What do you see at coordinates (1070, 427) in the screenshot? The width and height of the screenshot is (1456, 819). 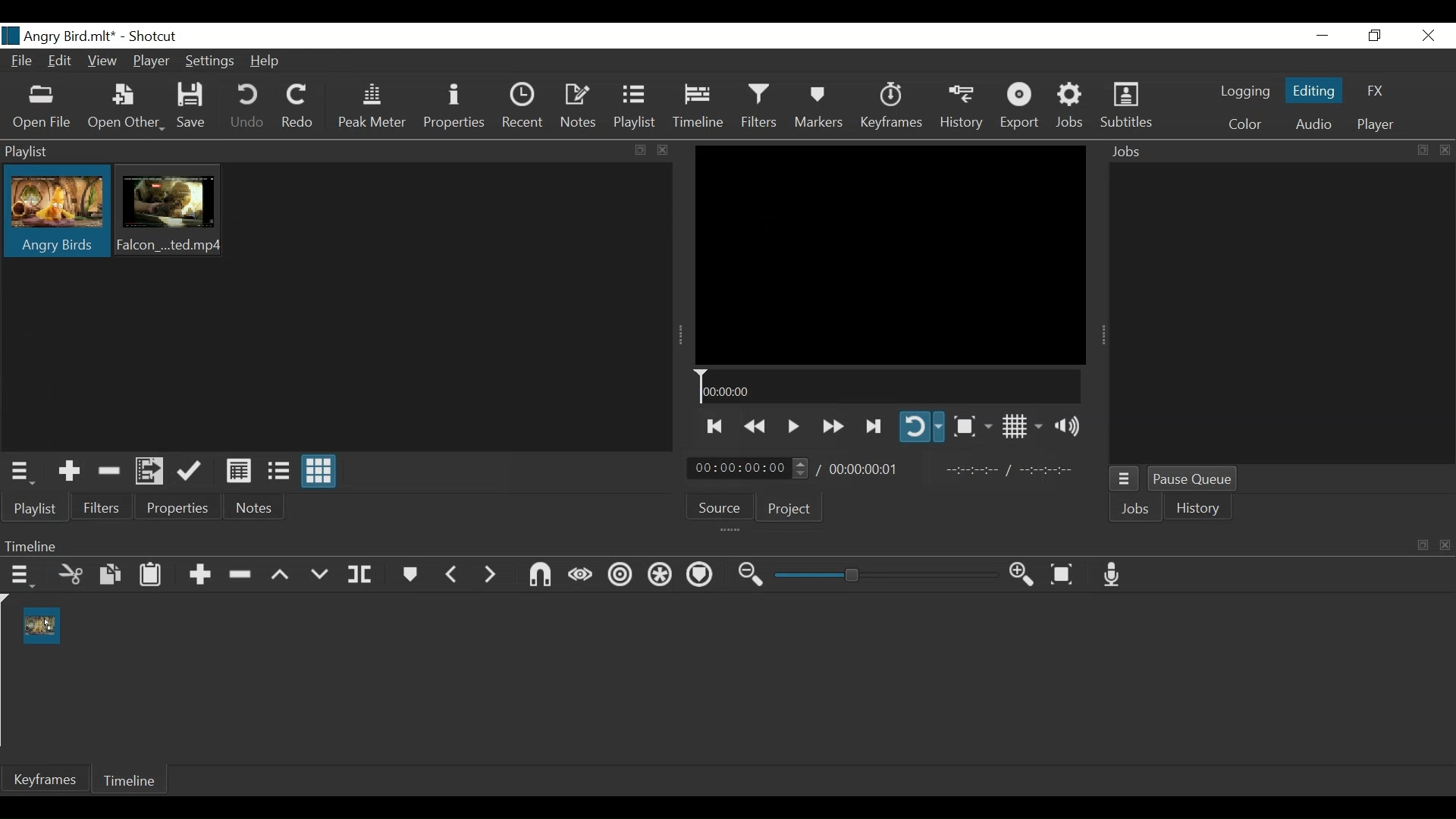 I see `Show volume control` at bounding box center [1070, 427].